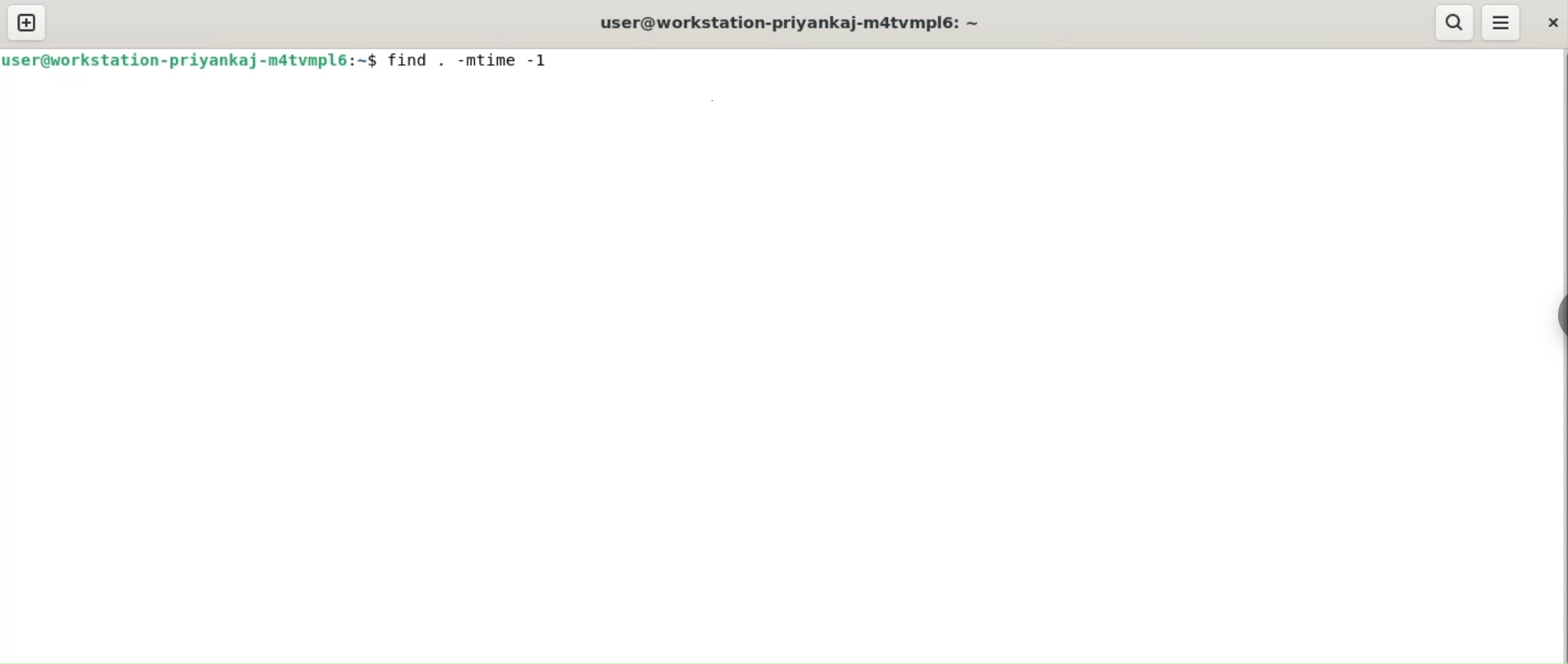 The width and height of the screenshot is (1568, 664). What do you see at coordinates (24, 22) in the screenshot?
I see `new tab` at bounding box center [24, 22].